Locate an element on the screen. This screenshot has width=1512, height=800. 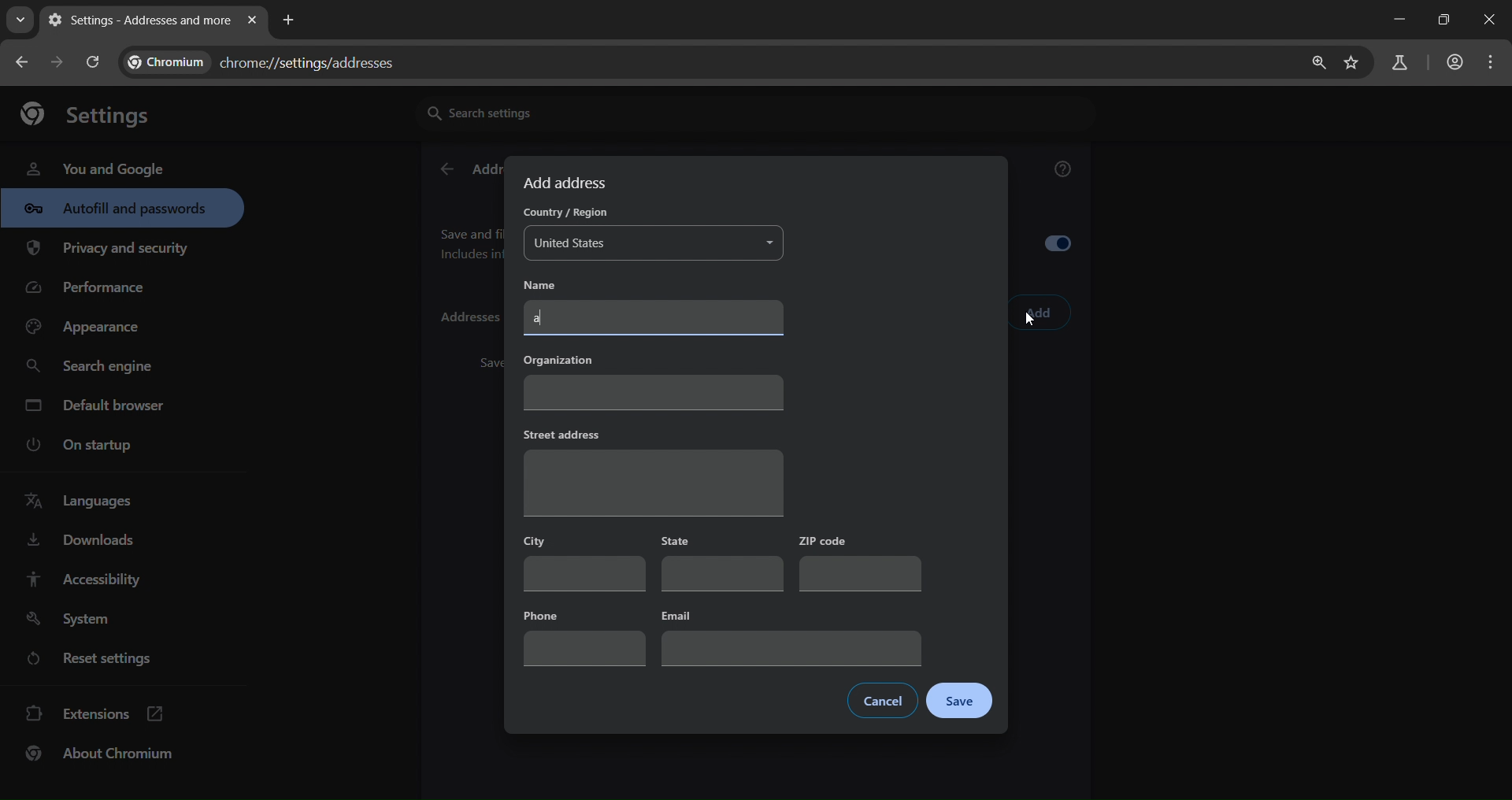
minimize is located at coordinates (1395, 20).